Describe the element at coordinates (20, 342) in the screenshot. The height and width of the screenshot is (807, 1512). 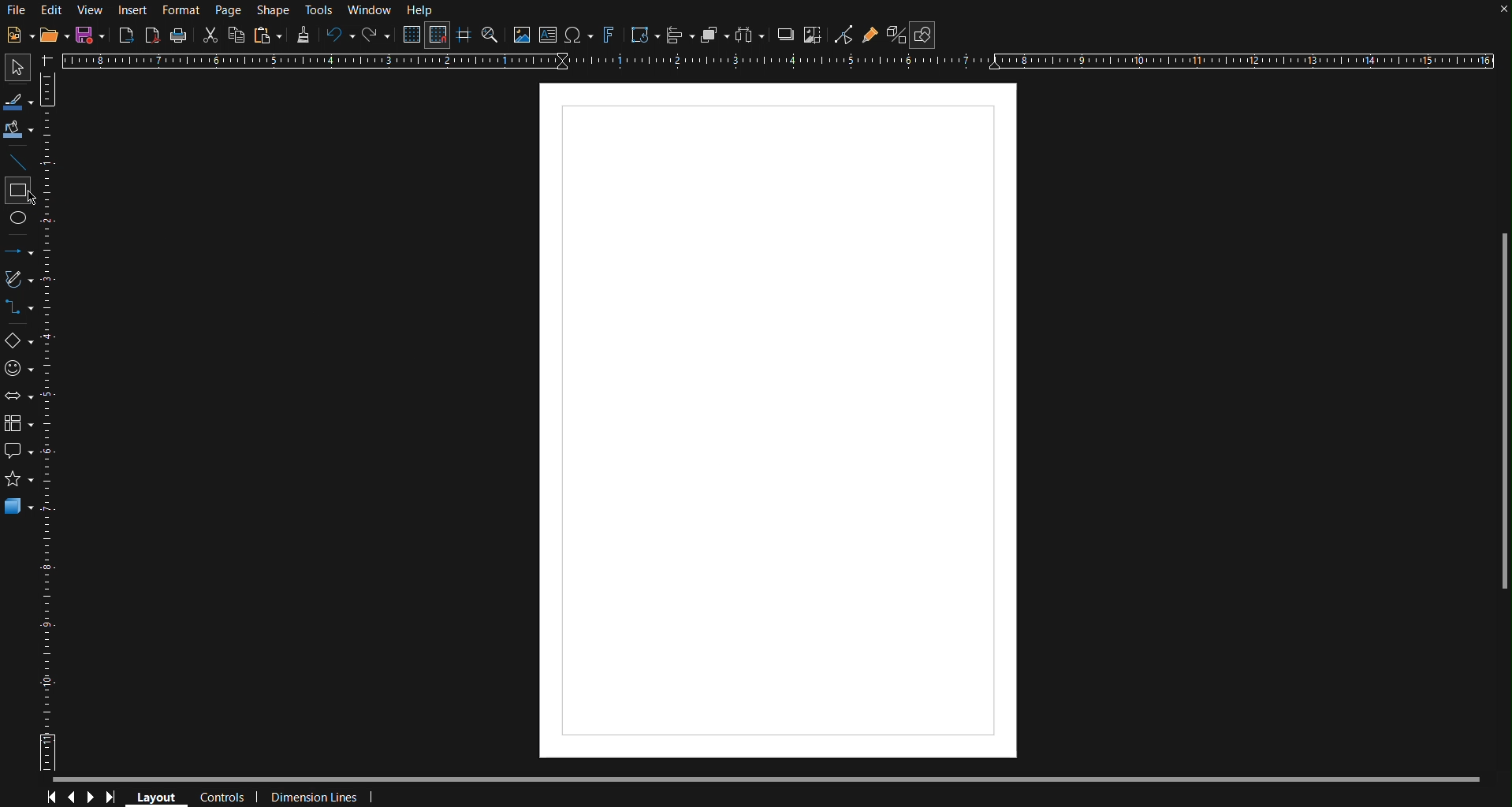
I see `Basic Shapes` at that location.